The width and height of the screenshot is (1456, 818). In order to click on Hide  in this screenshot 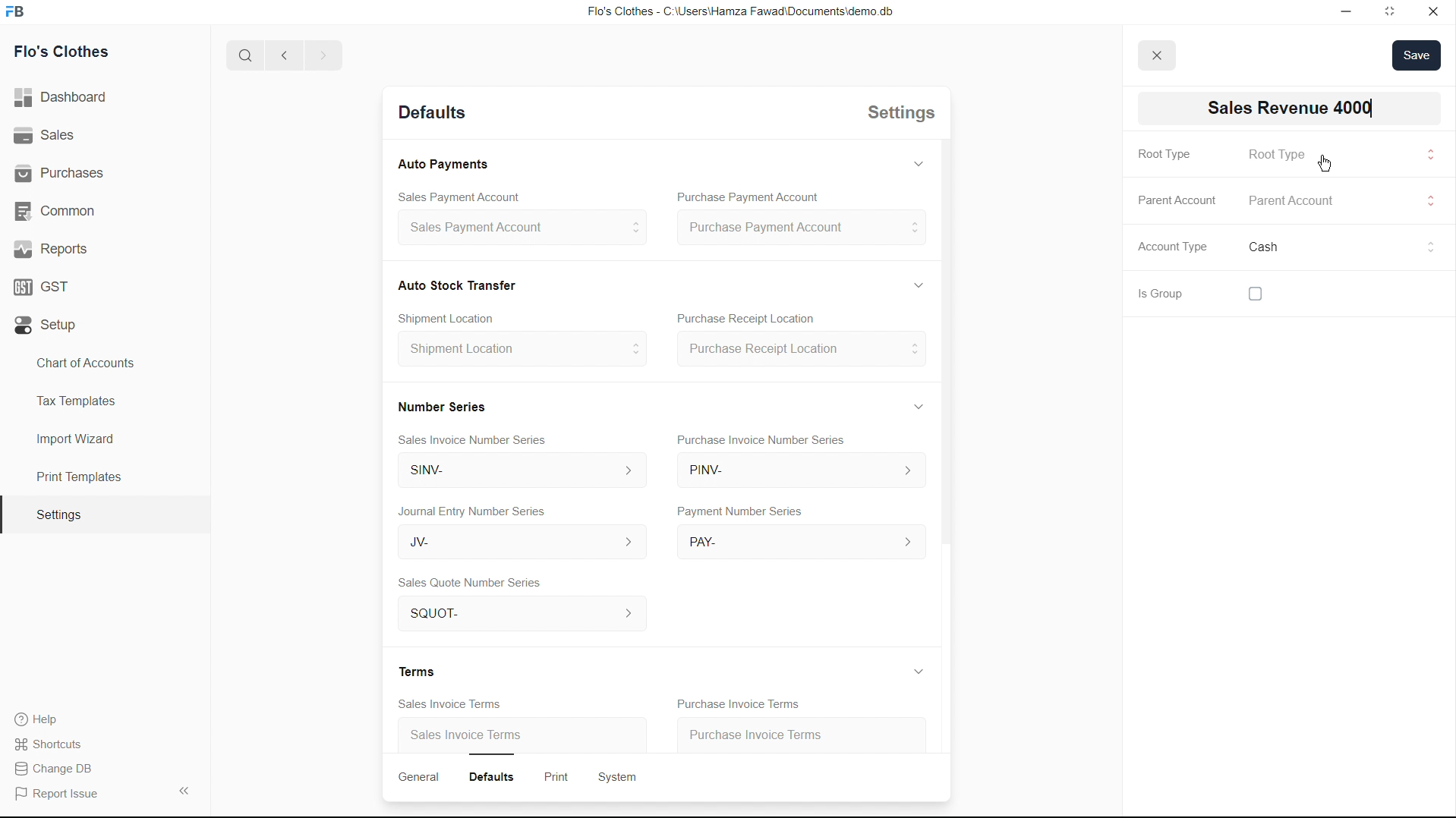, I will do `click(918, 405)`.